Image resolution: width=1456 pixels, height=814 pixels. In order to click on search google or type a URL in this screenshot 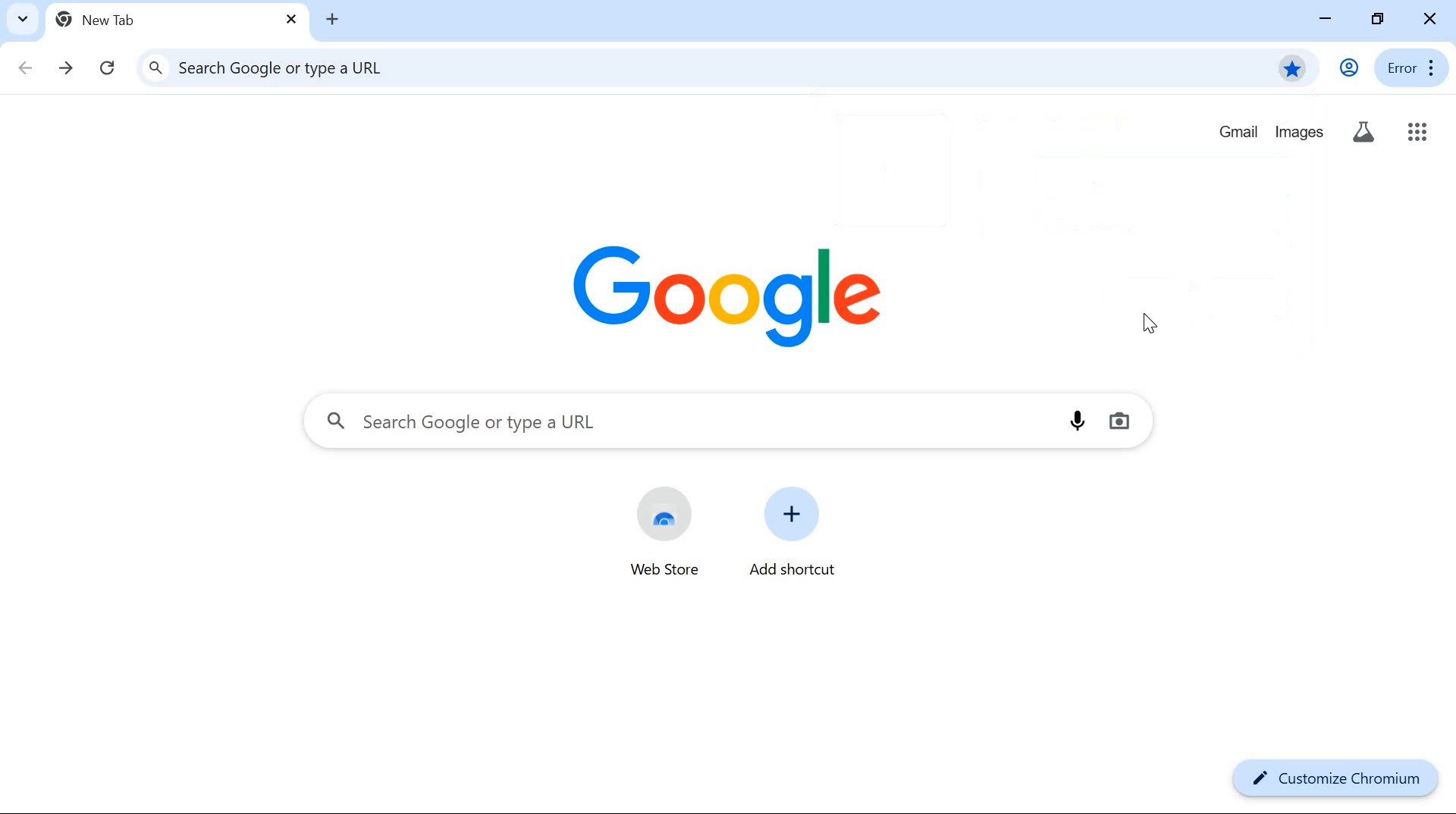, I will do `click(687, 423)`.